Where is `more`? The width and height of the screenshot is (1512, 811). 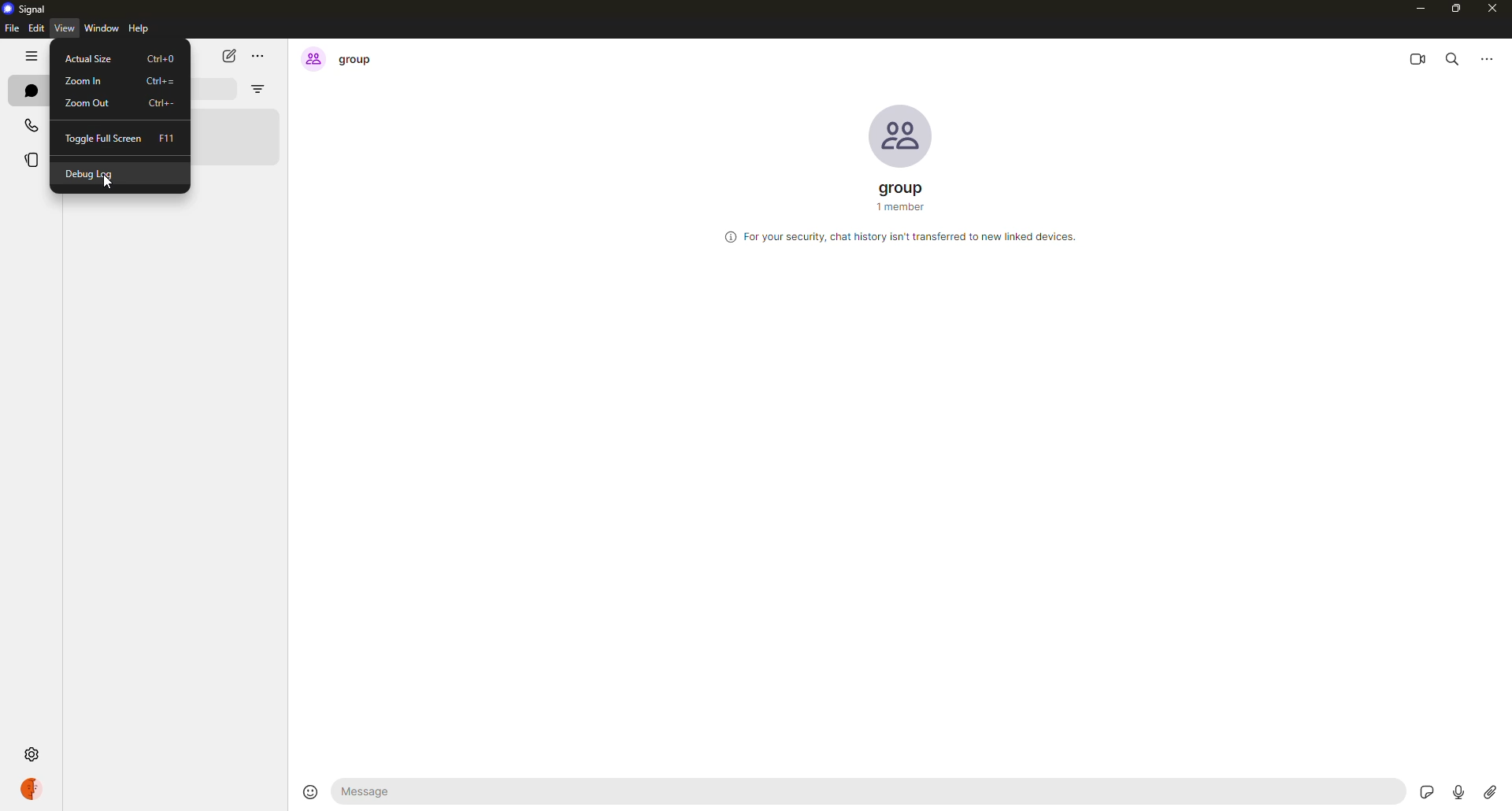 more is located at coordinates (262, 56).